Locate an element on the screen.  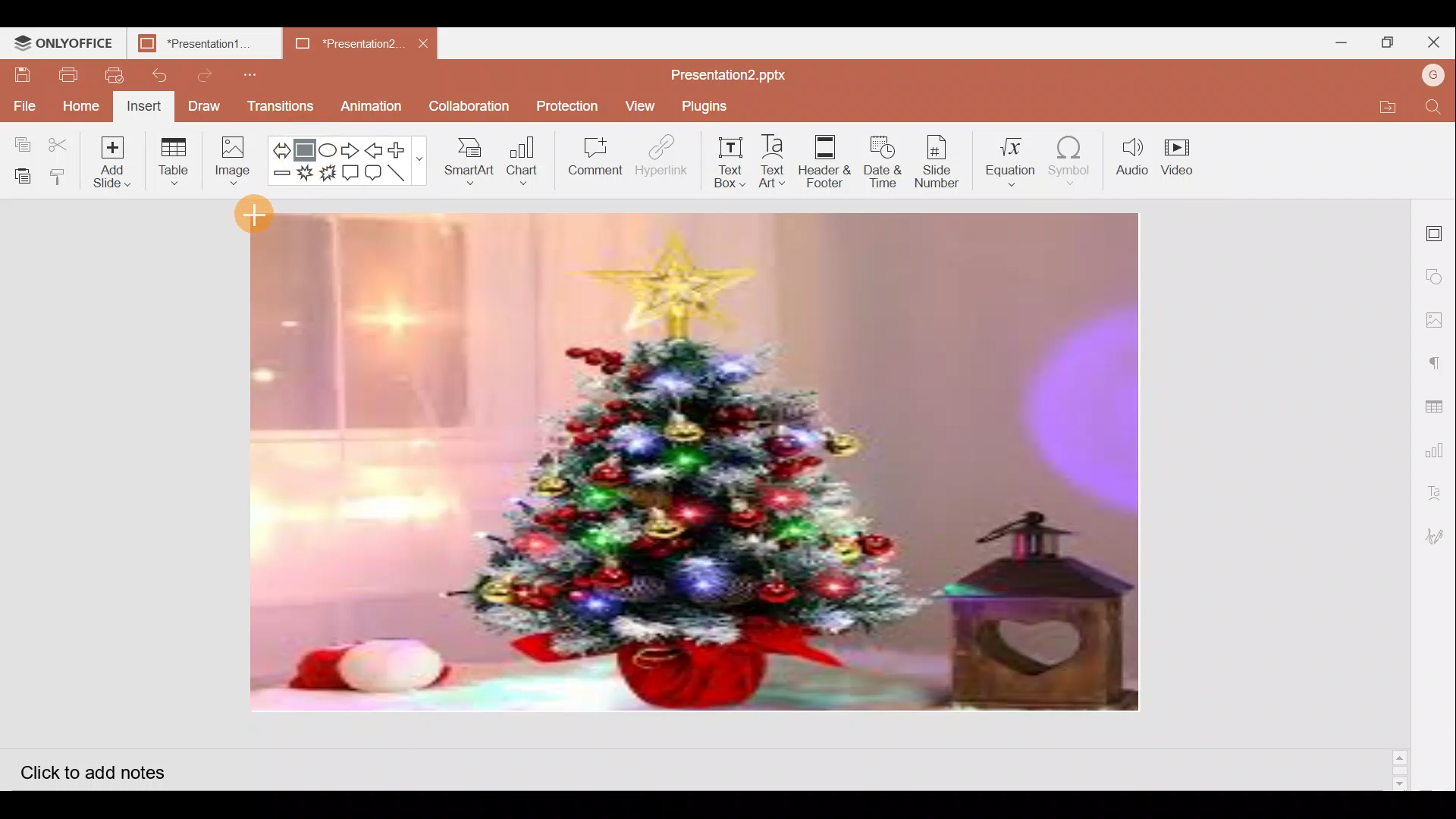
Rounded Rectangular callout is located at coordinates (375, 174).